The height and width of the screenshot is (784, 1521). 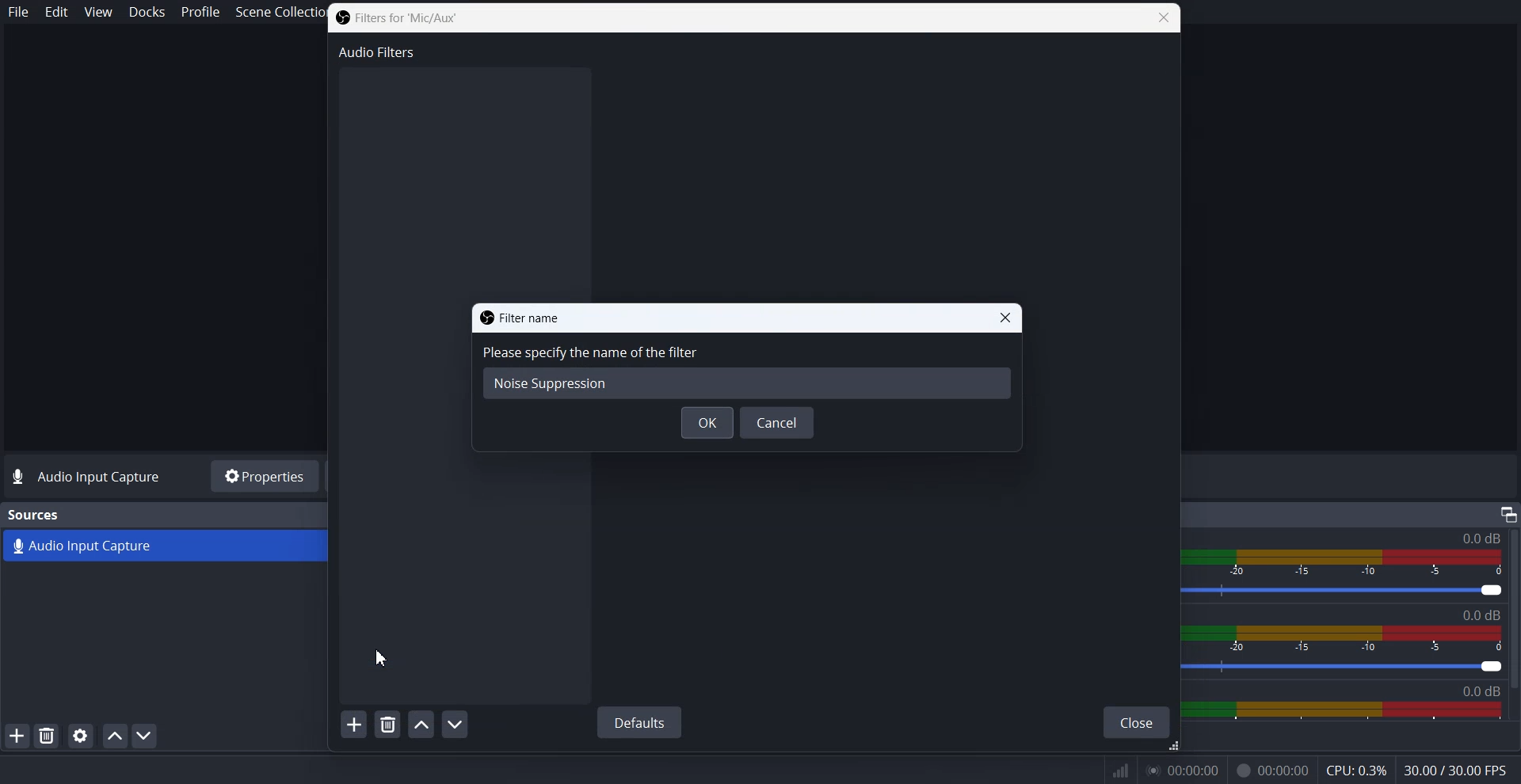 What do you see at coordinates (1174, 749) in the screenshot?
I see `Drag handle` at bounding box center [1174, 749].